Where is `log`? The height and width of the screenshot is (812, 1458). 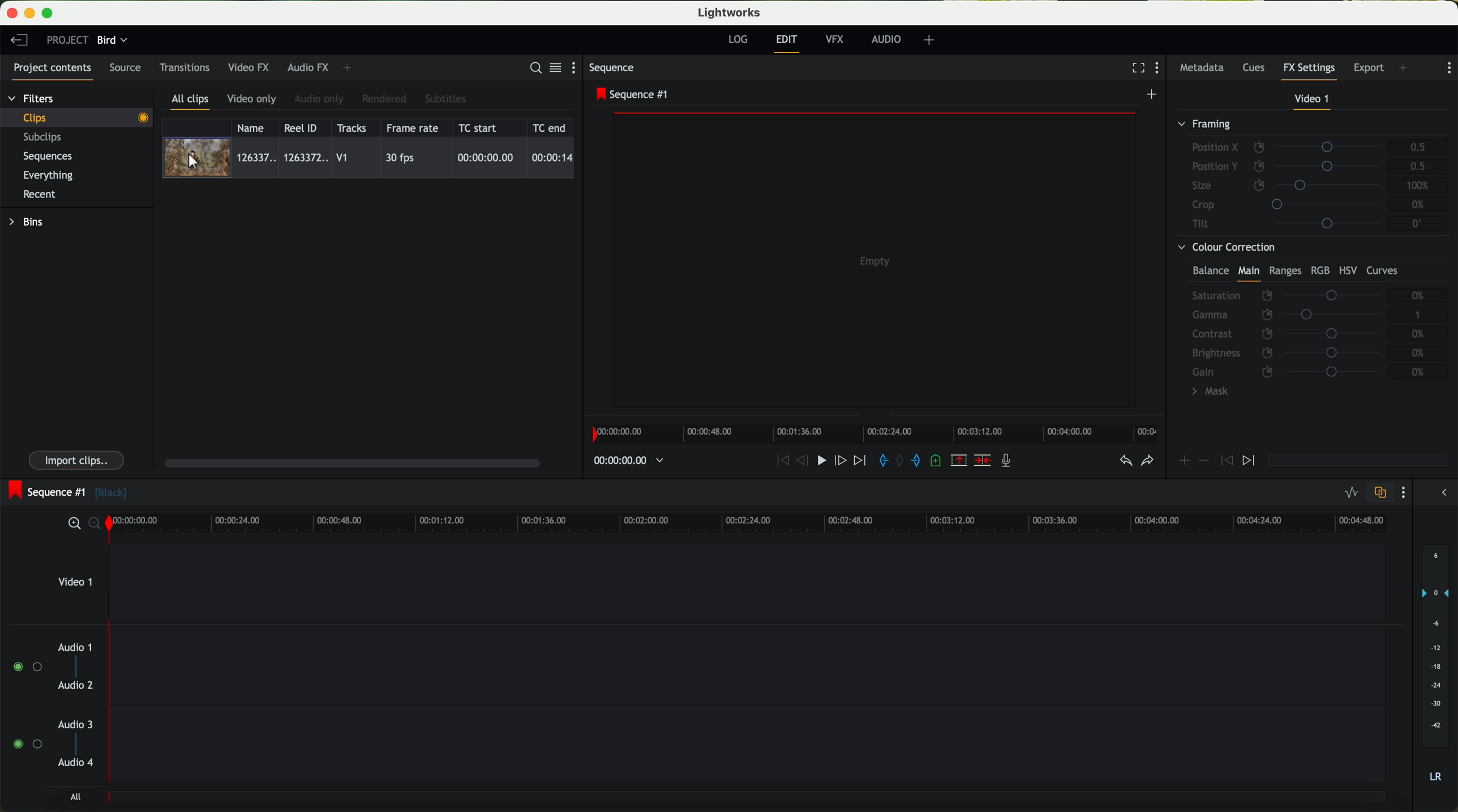
log is located at coordinates (737, 40).